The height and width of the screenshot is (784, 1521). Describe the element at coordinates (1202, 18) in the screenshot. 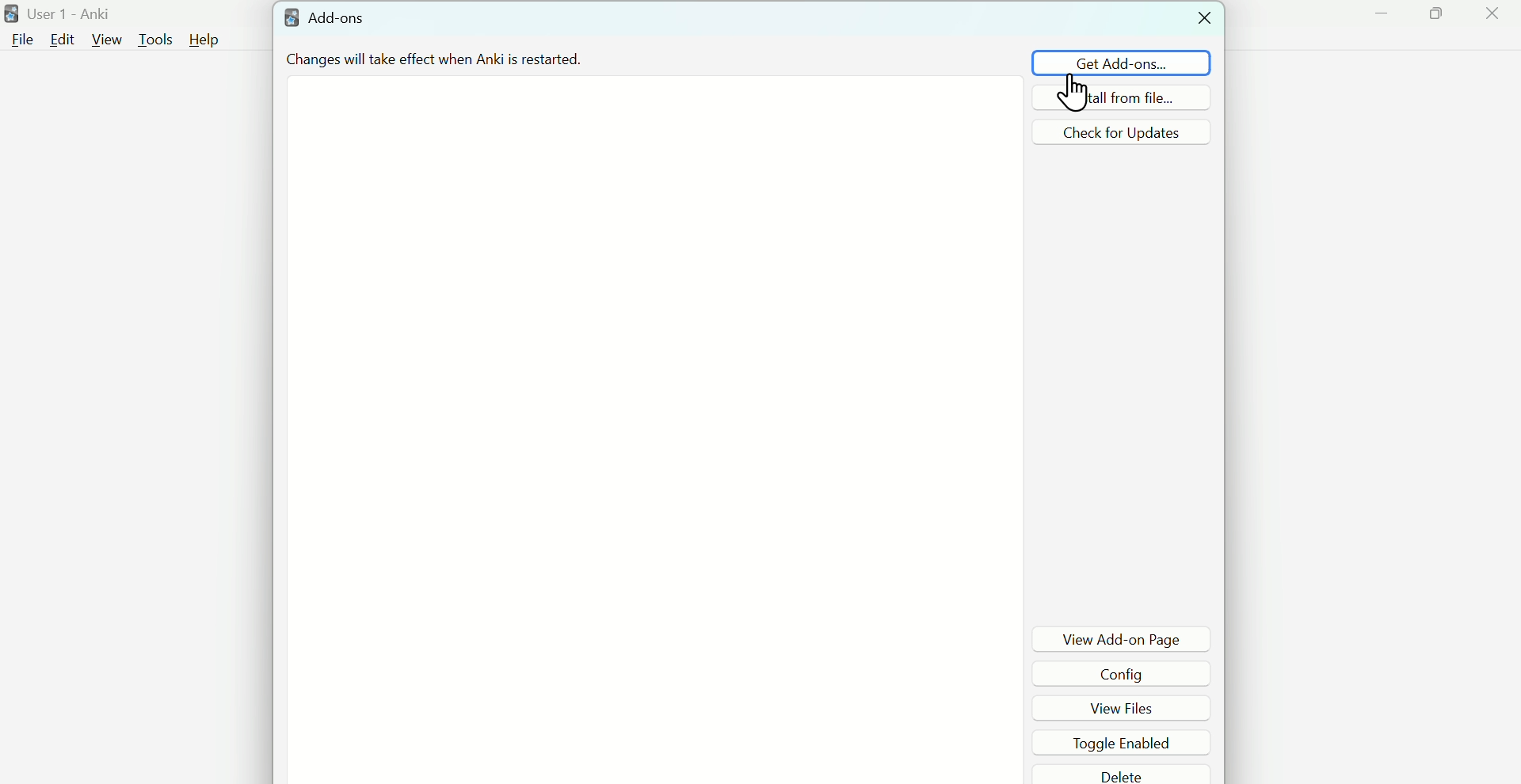

I see `close ` at that location.